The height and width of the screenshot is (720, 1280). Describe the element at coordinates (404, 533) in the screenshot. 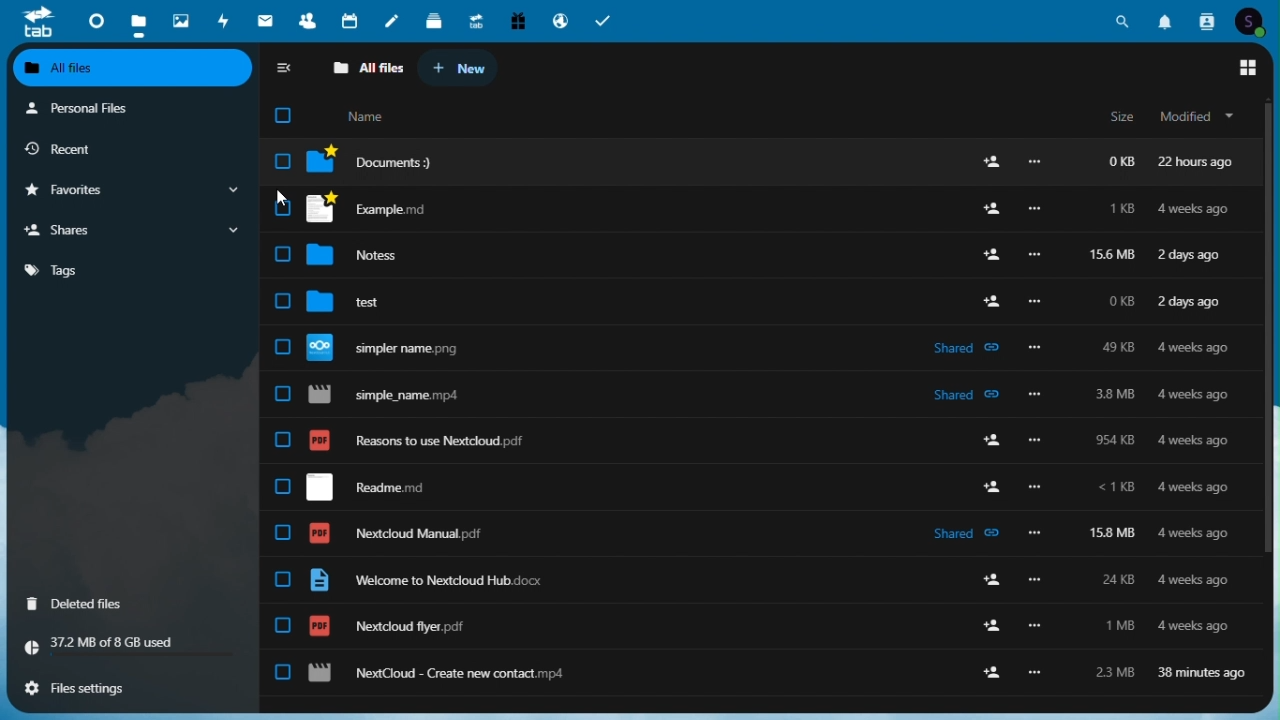

I see `nextcloud manual.pdf` at that location.